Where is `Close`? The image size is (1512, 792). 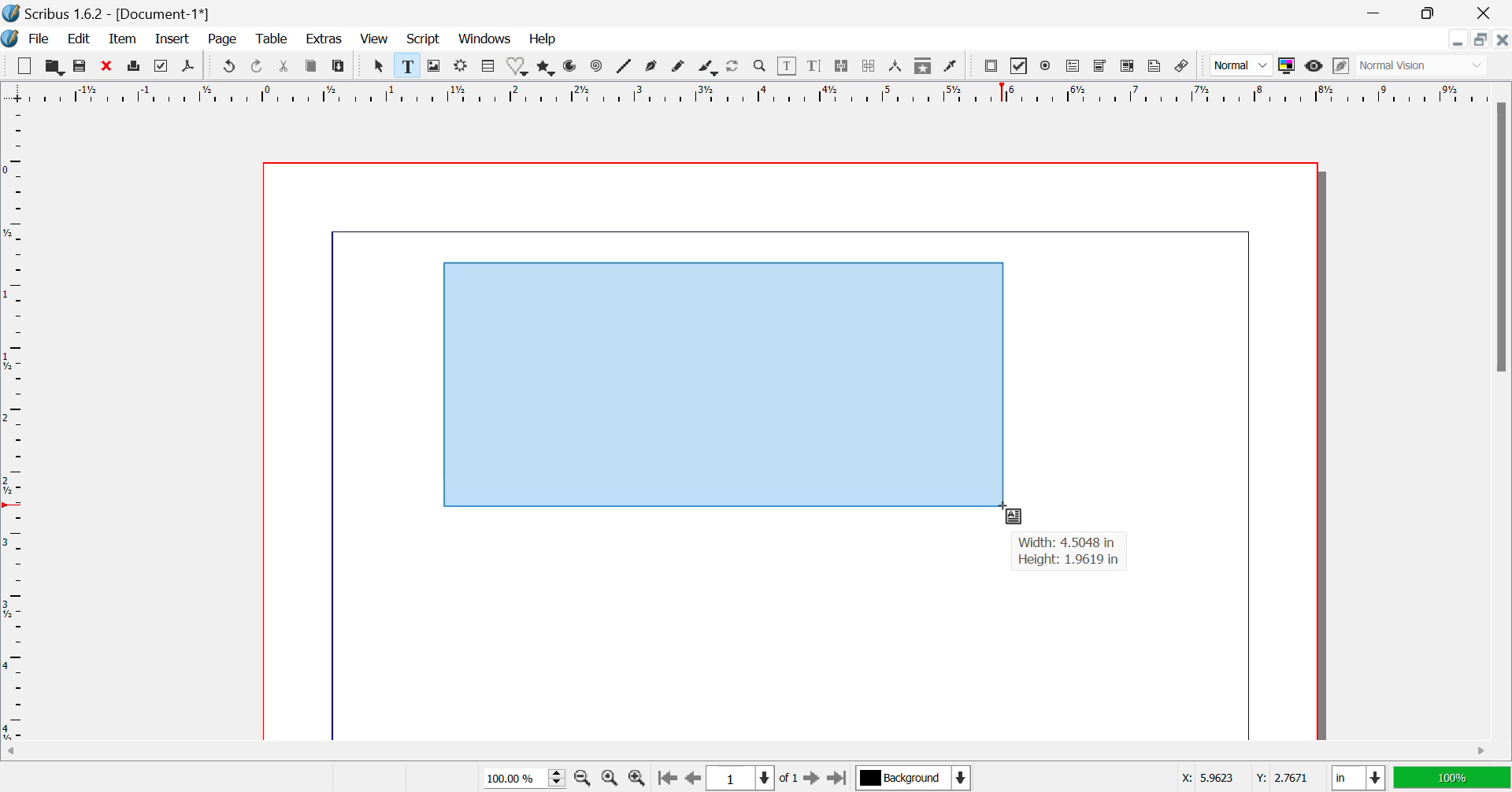
Close is located at coordinates (1484, 13).